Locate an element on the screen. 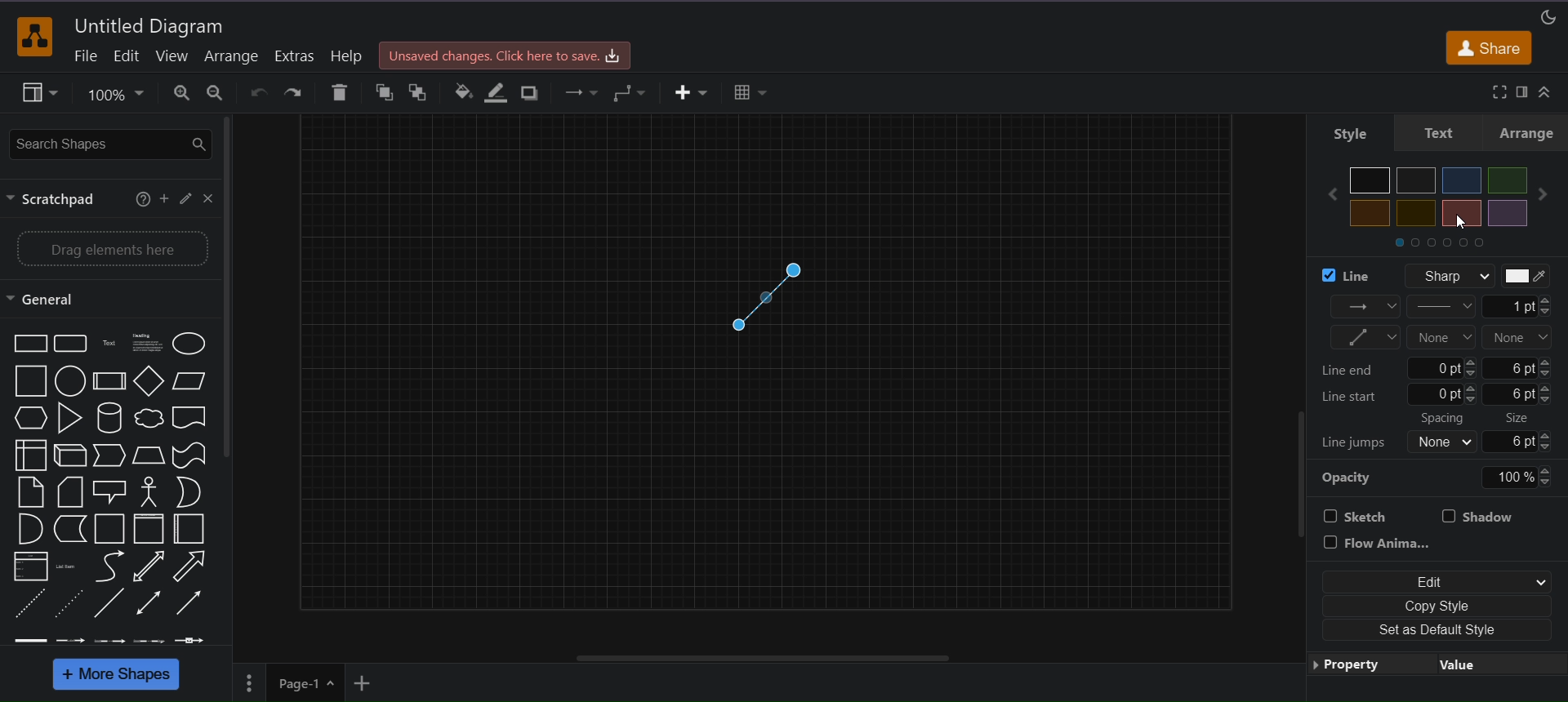 Image resolution: width=1568 pixels, height=702 pixels. fullscreen is located at coordinates (1497, 91).